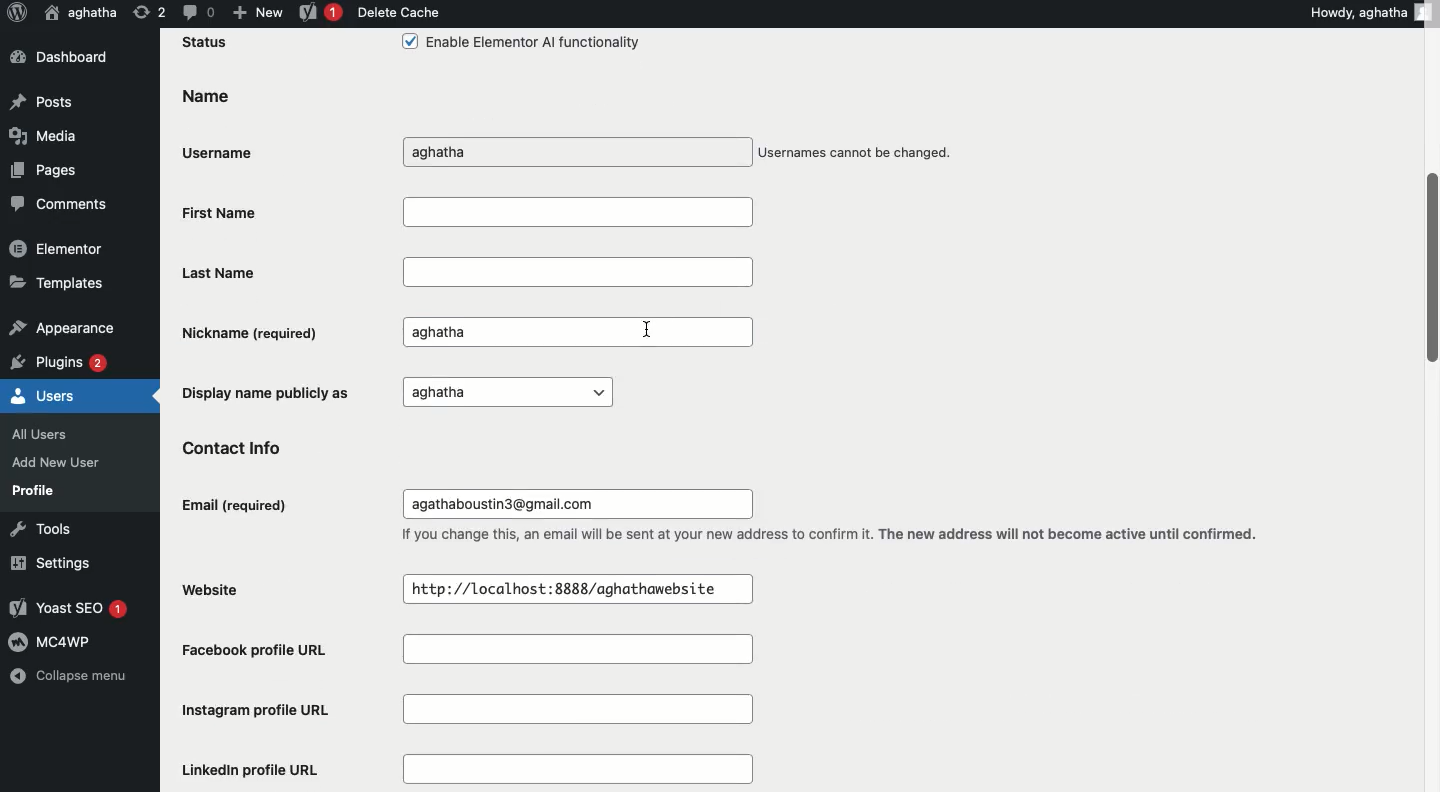  What do you see at coordinates (46, 169) in the screenshot?
I see `Pages` at bounding box center [46, 169].